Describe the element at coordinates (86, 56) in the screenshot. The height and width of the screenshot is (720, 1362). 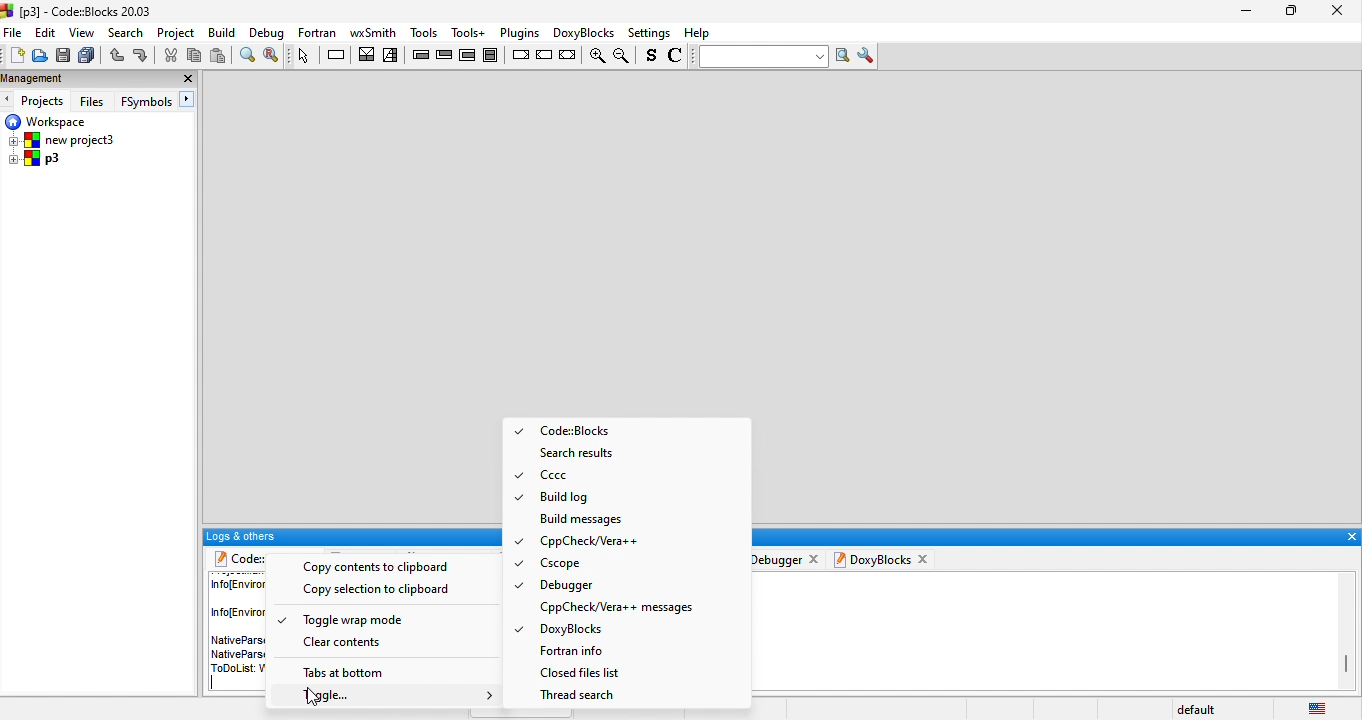
I see `save everything` at that location.